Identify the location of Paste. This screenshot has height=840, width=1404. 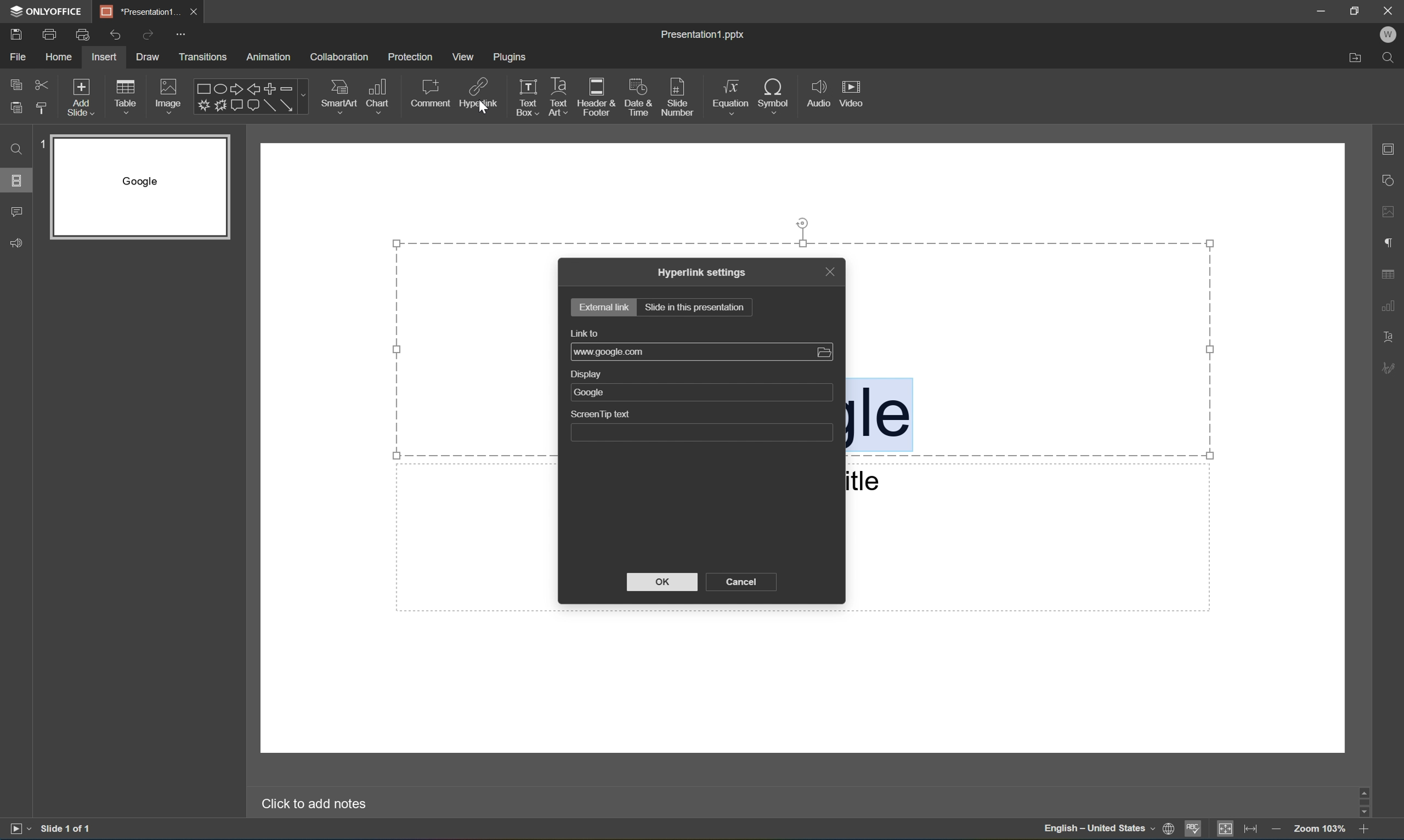
(16, 108).